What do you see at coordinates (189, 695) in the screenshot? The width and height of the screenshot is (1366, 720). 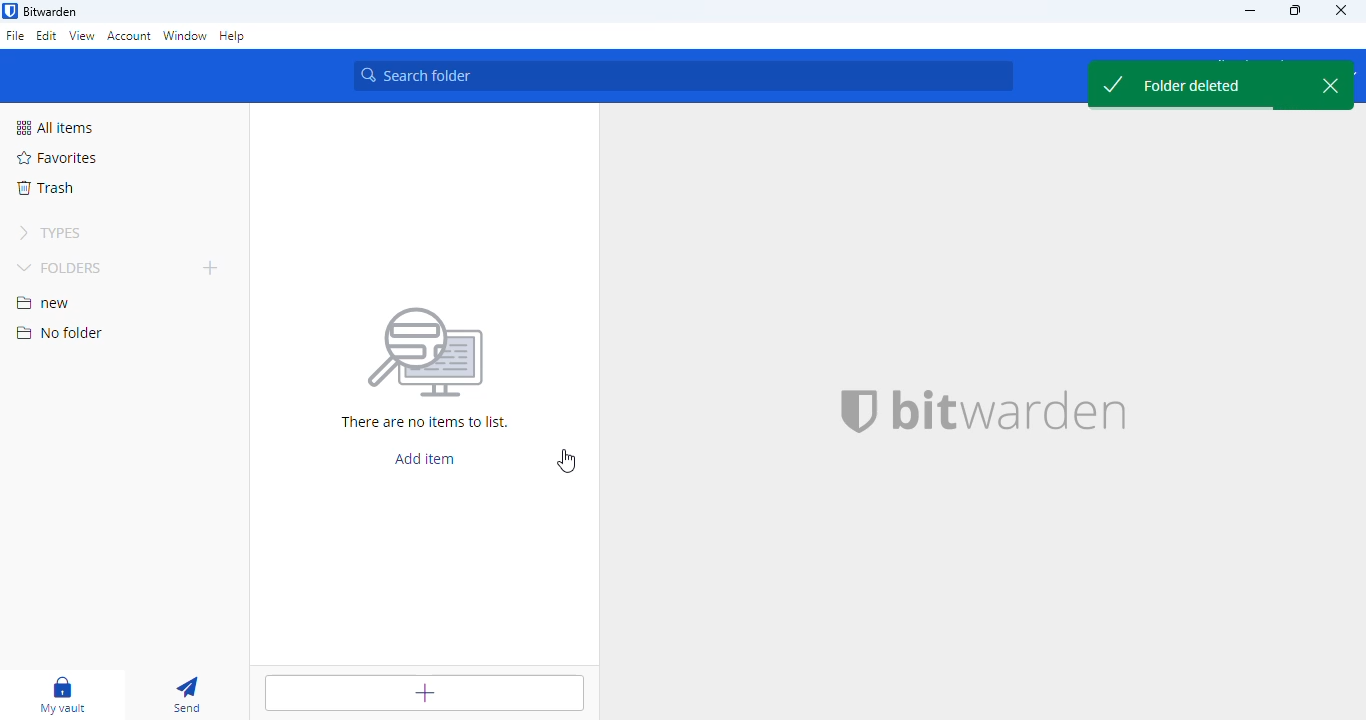 I see `send` at bounding box center [189, 695].